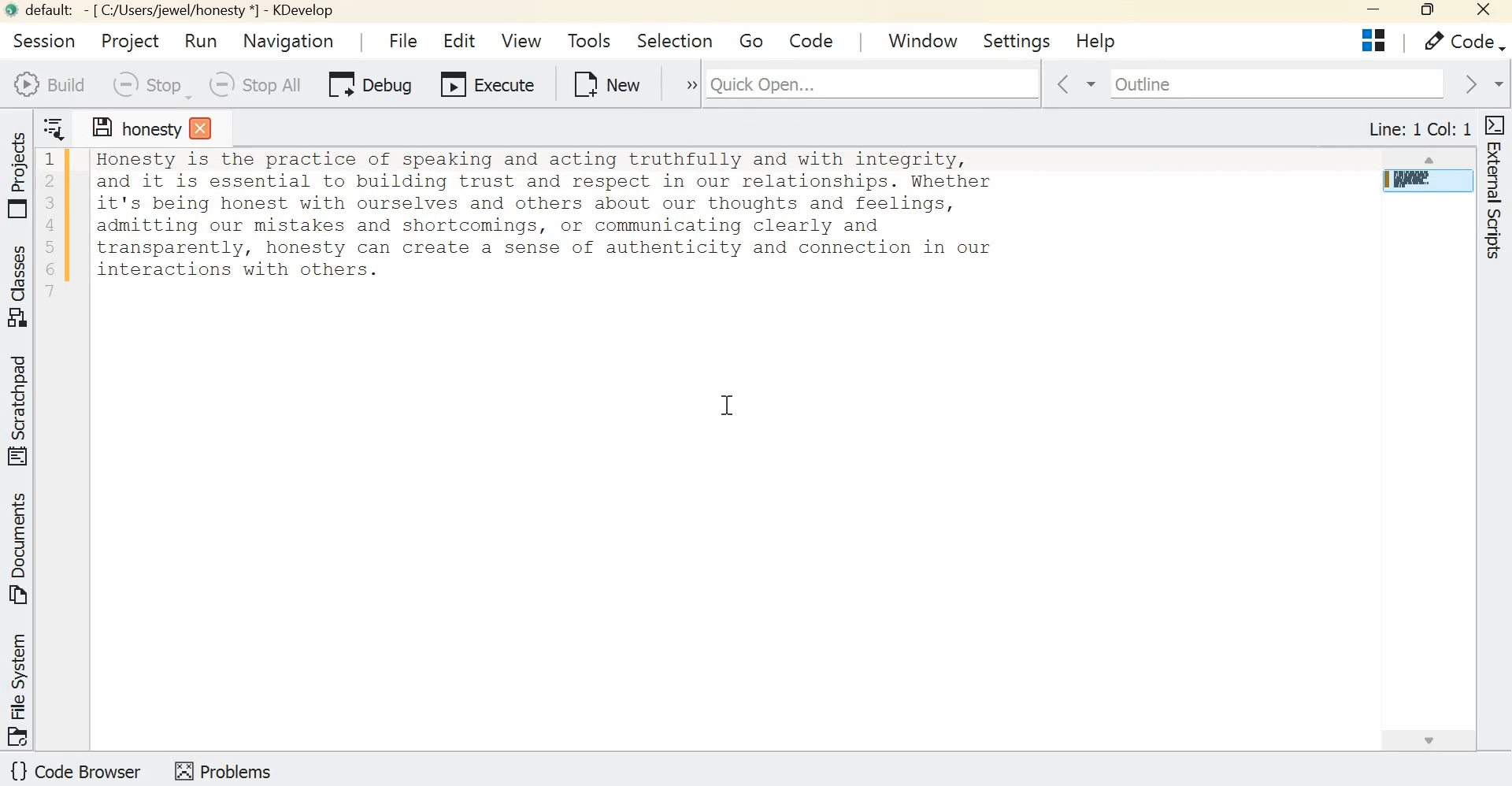 The height and width of the screenshot is (786, 1512). What do you see at coordinates (21, 287) in the screenshot?
I see `Toggle 'Classes' tool view` at bounding box center [21, 287].